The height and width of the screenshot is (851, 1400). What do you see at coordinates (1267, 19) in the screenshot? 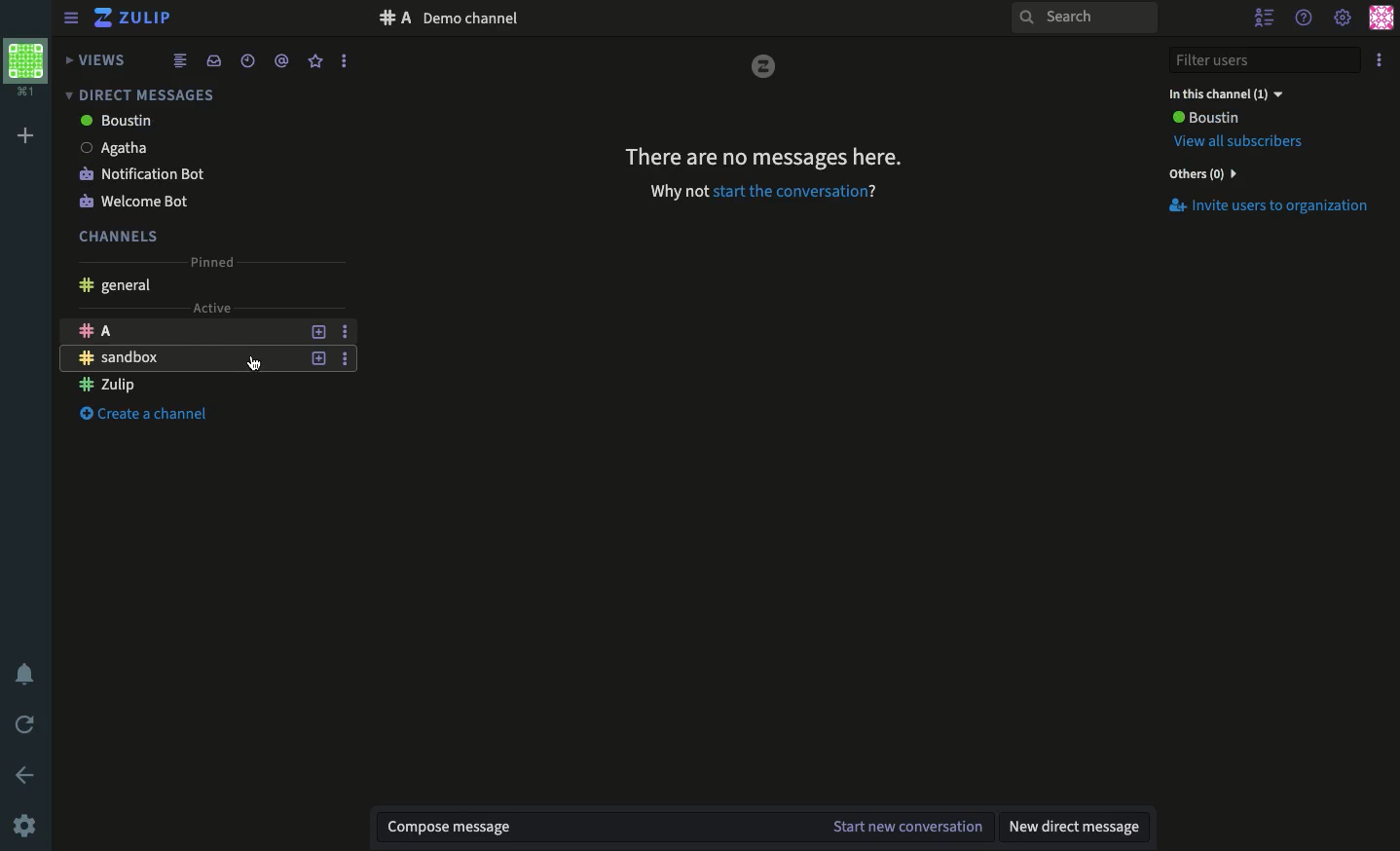
I see `Hide users list` at bounding box center [1267, 19].